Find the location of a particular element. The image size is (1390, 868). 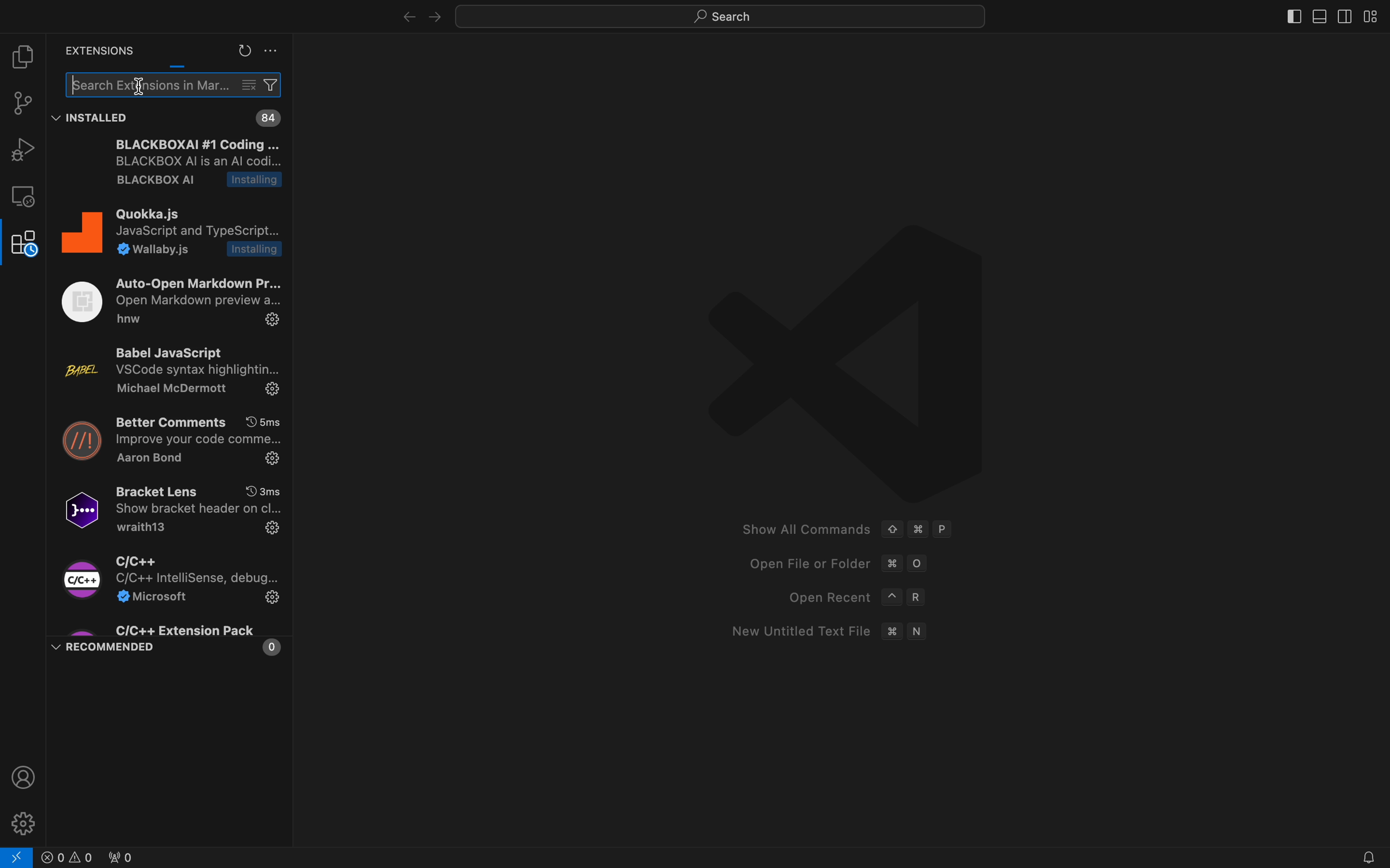

extensions is located at coordinates (23, 244).